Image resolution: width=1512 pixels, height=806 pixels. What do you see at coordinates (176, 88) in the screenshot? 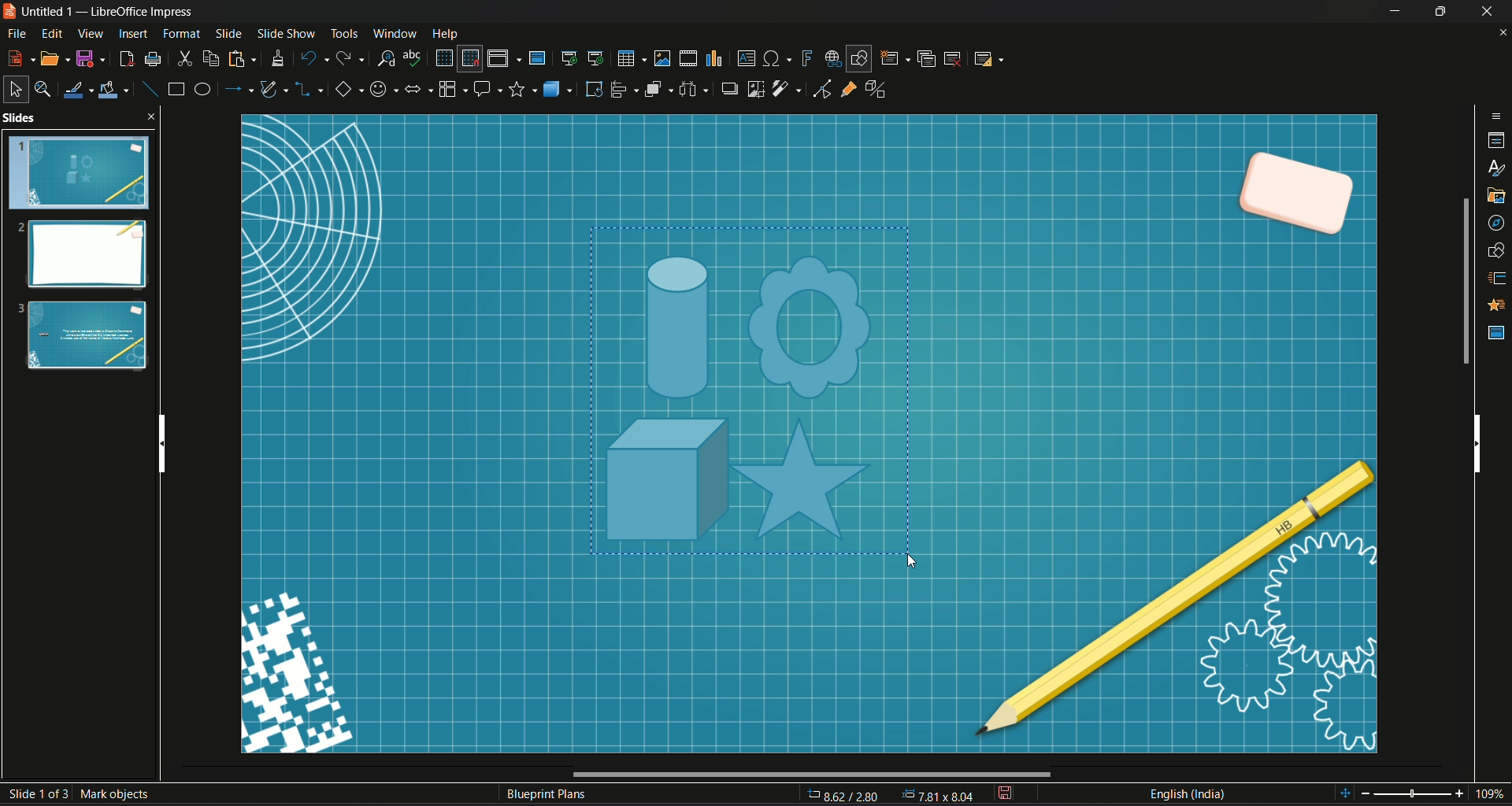
I see `rectangle` at bounding box center [176, 88].